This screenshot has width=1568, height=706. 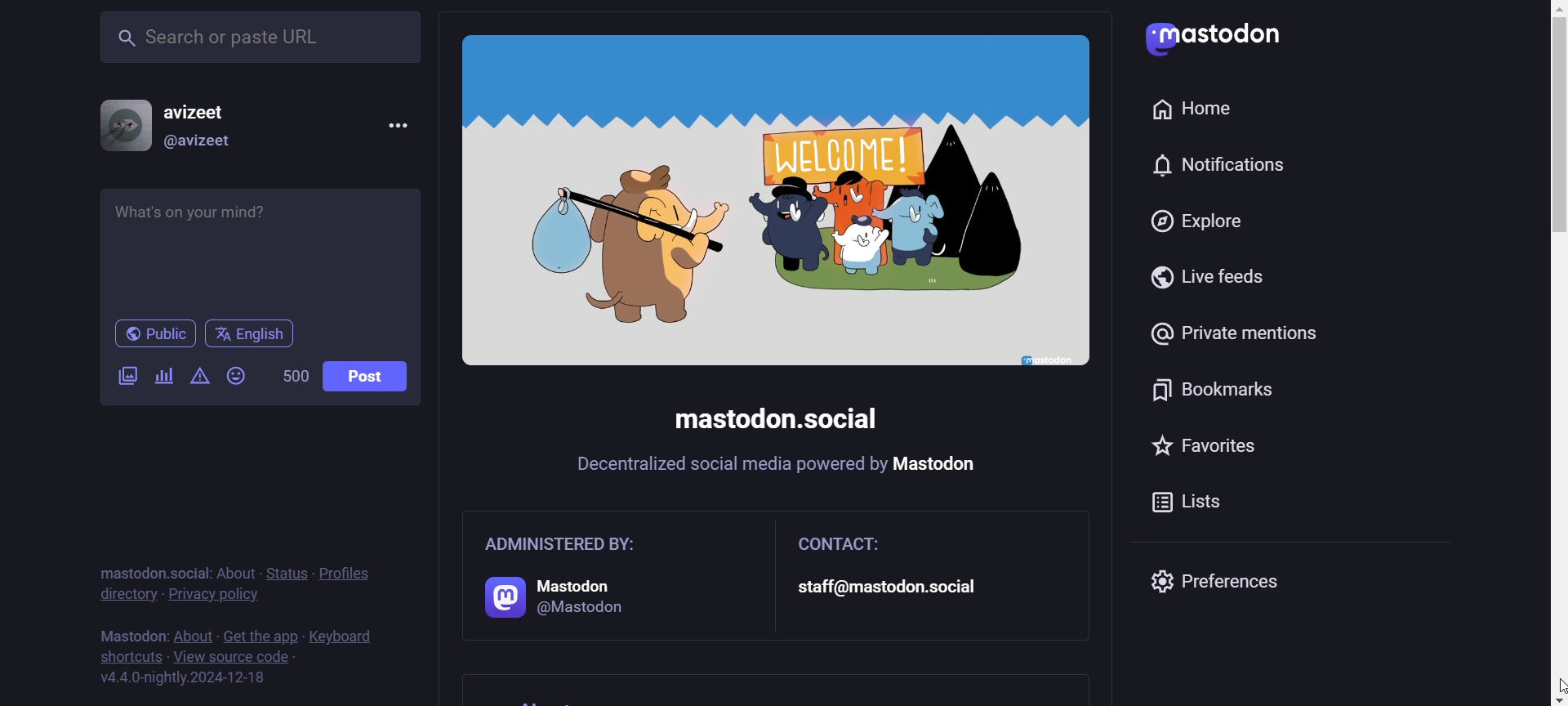 I want to click on explore, so click(x=1189, y=223).